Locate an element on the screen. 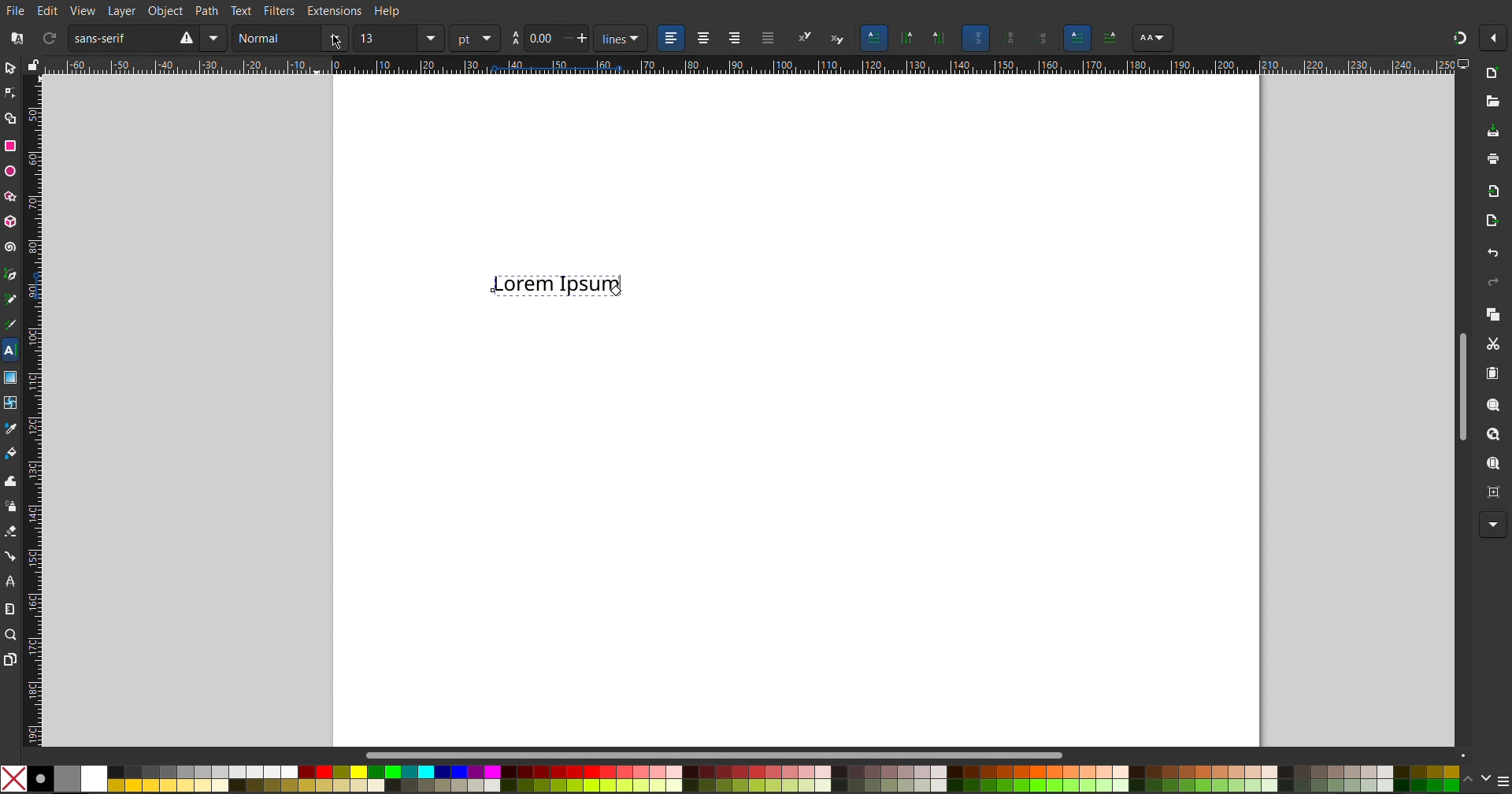  Edit is located at coordinates (50, 9).